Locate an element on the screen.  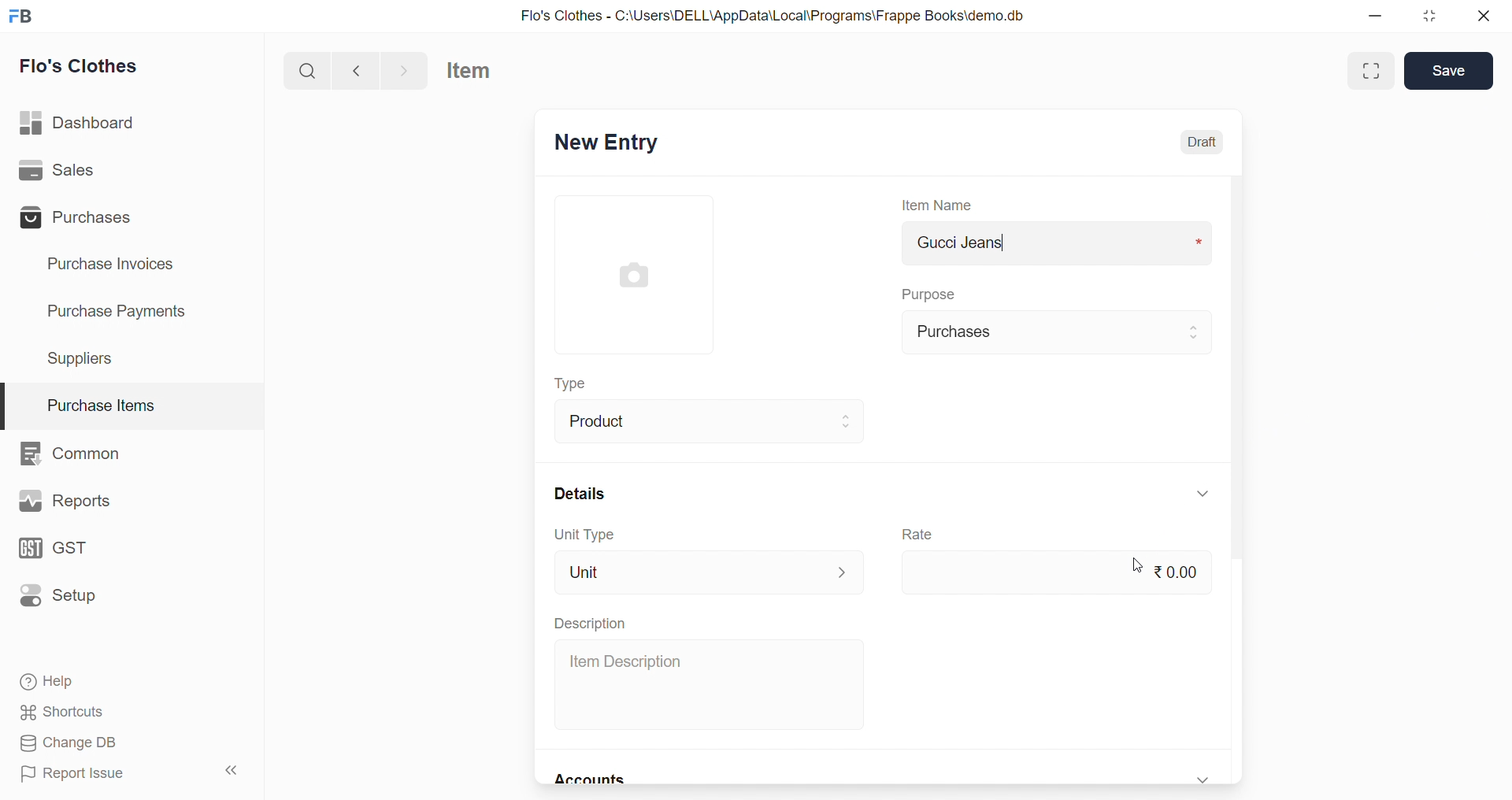
Flo's Clothes is located at coordinates (88, 66).